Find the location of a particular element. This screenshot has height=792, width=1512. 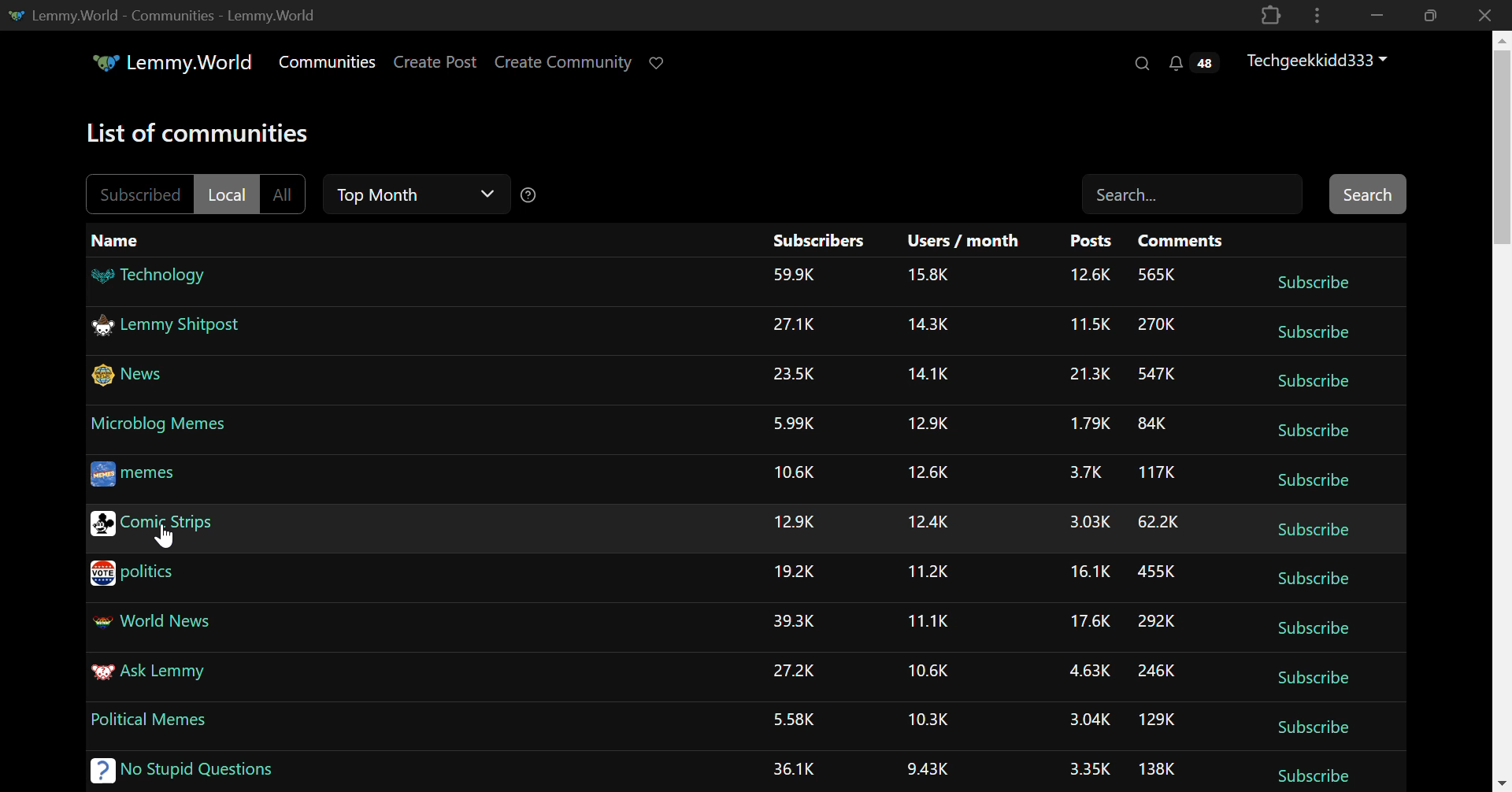

Subscribe is located at coordinates (1314, 431).